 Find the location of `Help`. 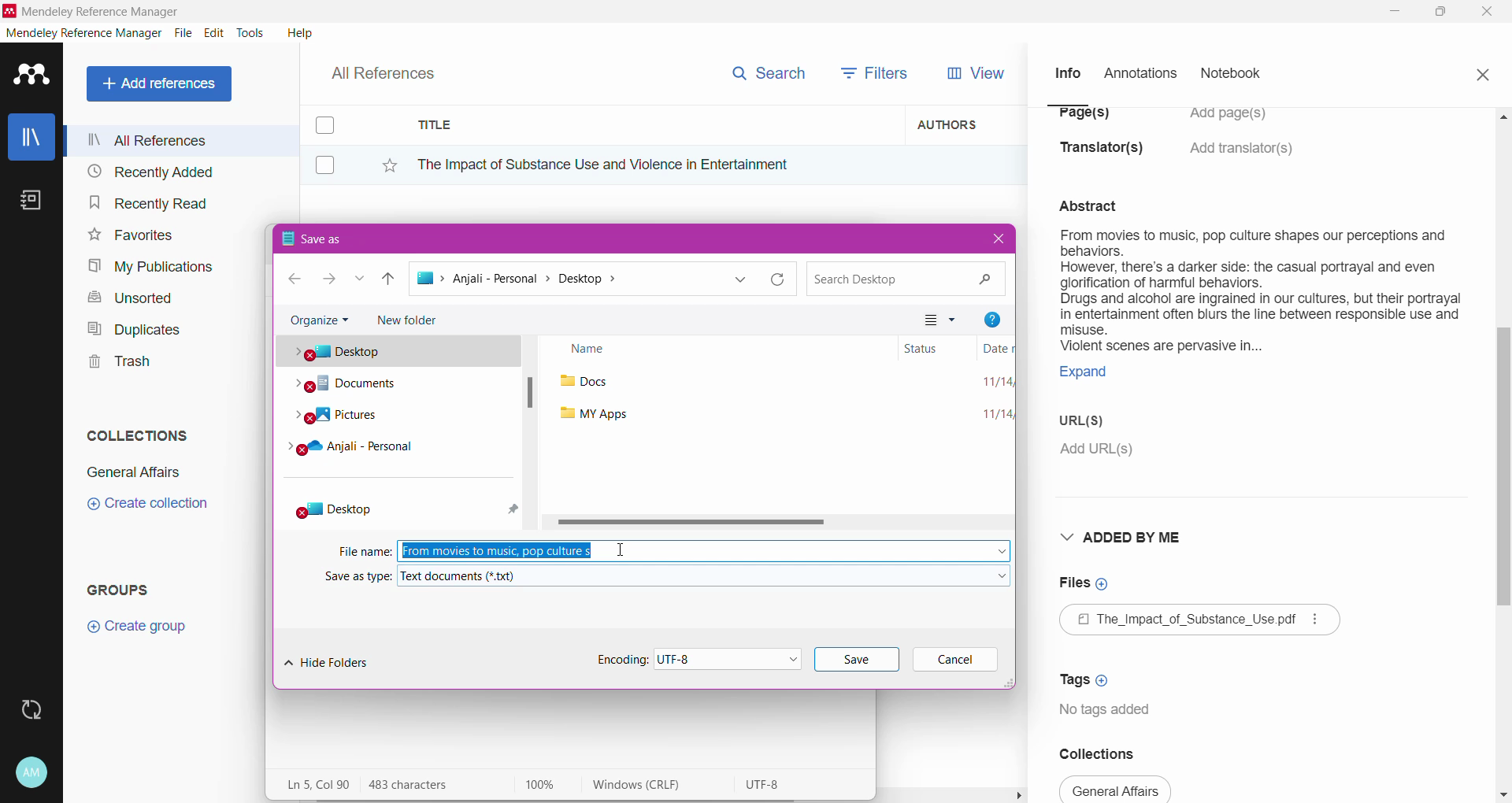

Help is located at coordinates (298, 32).